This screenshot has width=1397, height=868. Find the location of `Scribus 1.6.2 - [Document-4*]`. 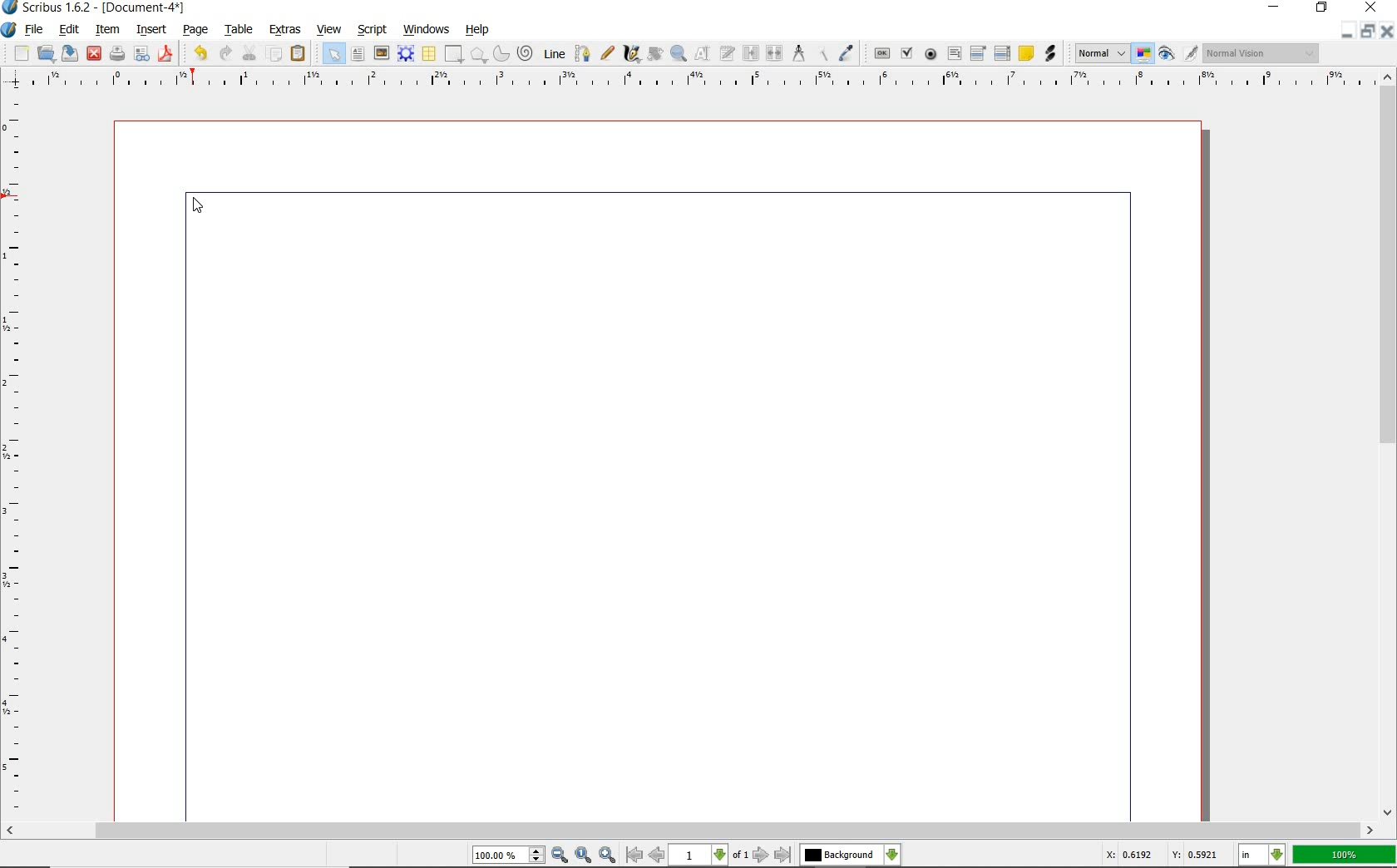

Scribus 1.6.2 - [Document-4*] is located at coordinates (96, 8).